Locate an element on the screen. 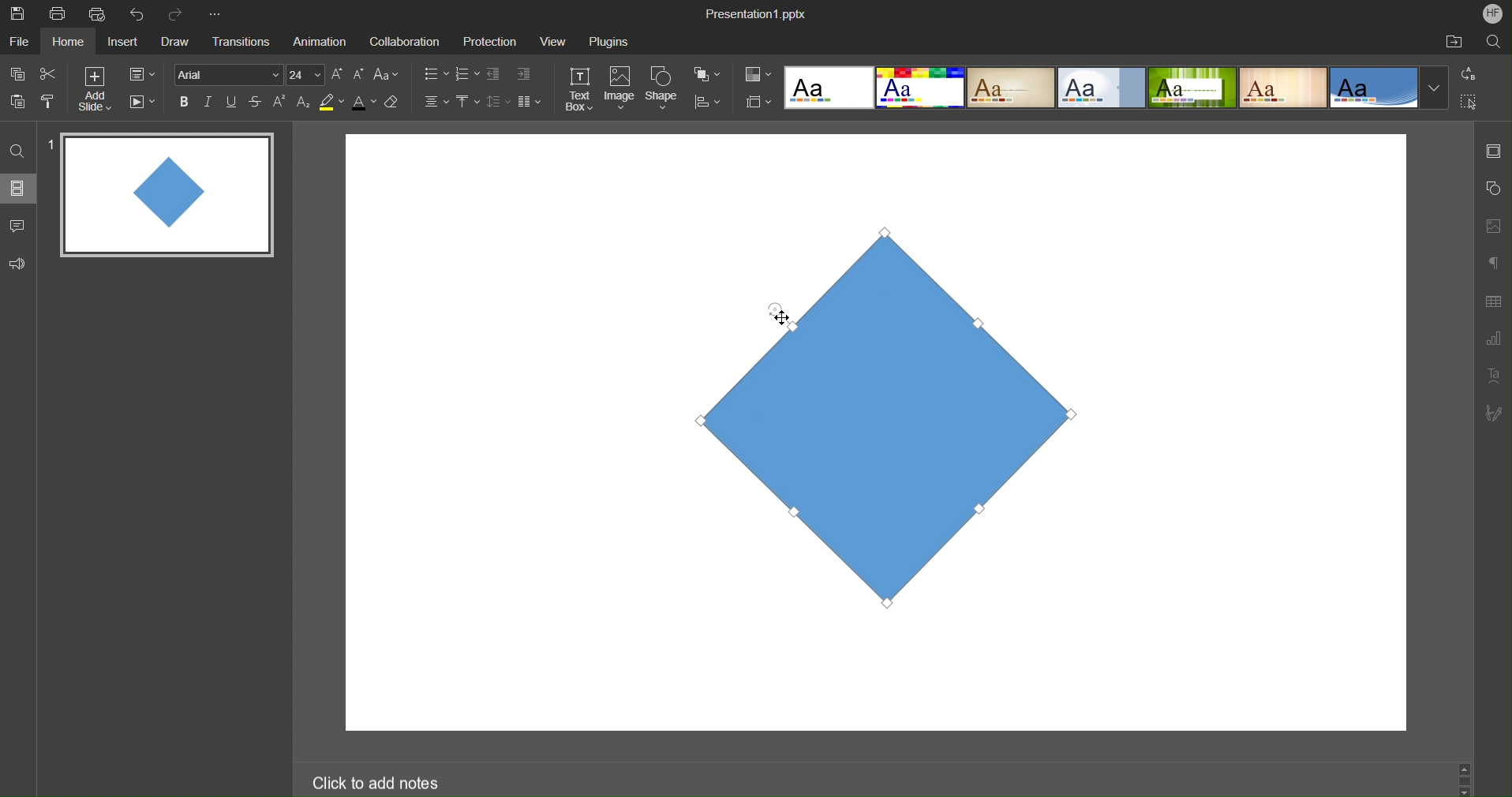  Vertical Align is located at coordinates (468, 102).